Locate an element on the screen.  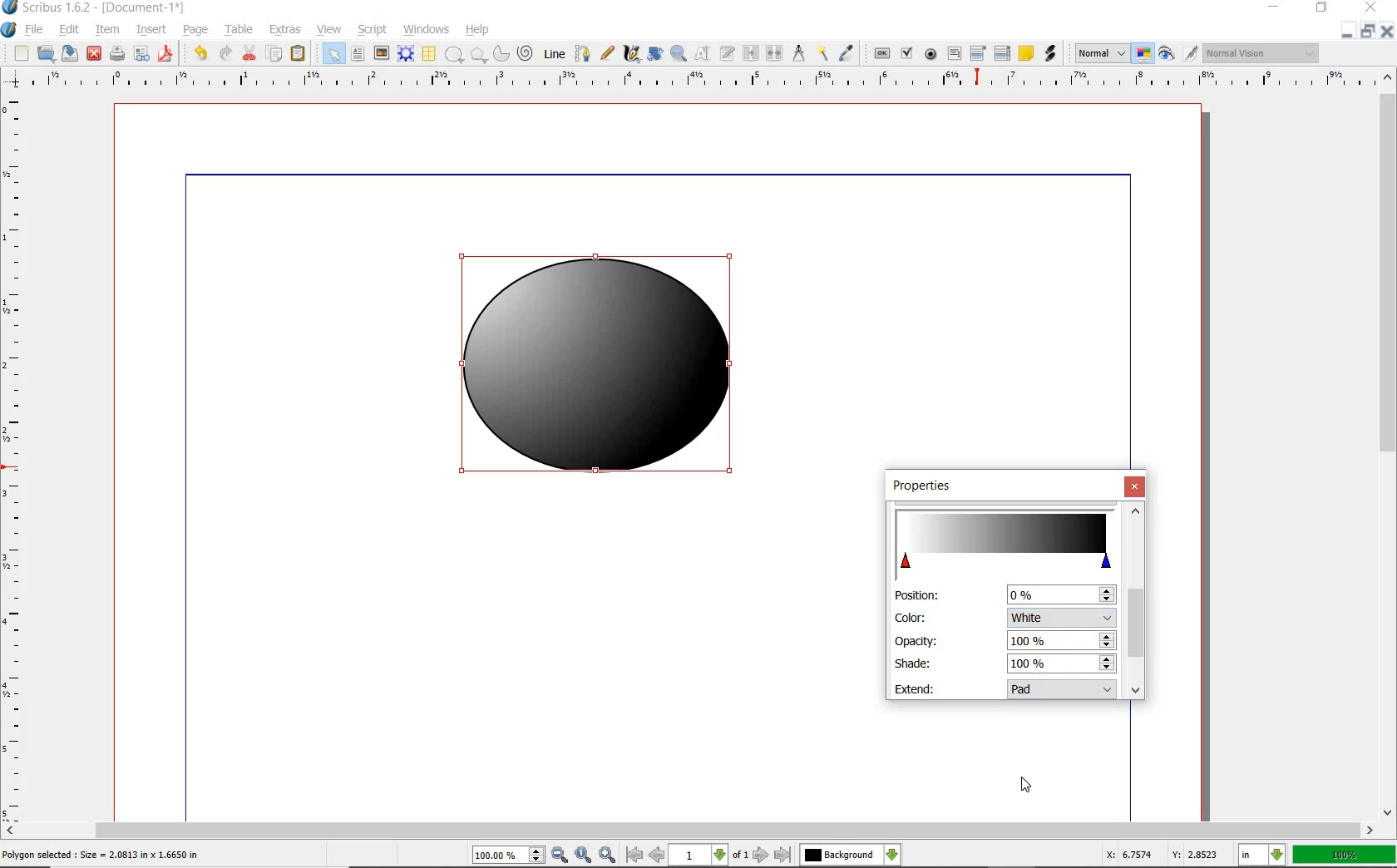
CALLIGRAPHIC LINE is located at coordinates (631, 54).